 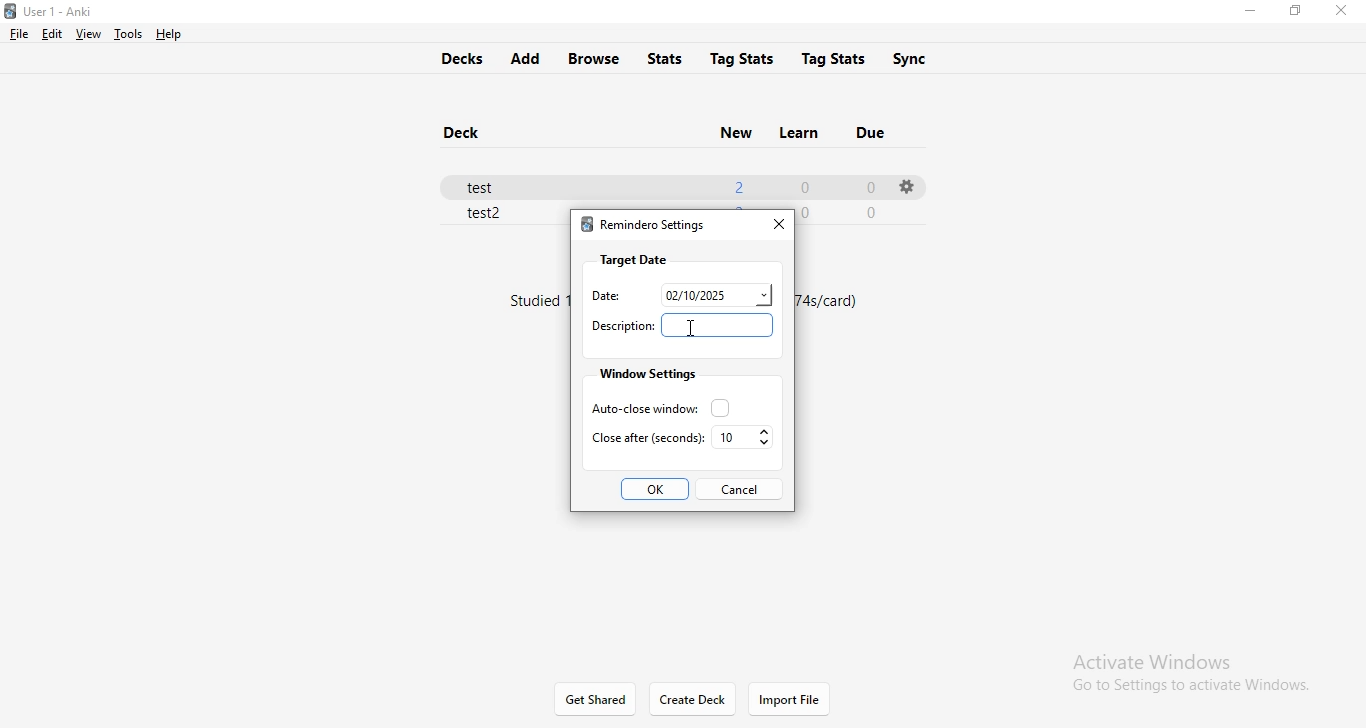 I want to click on ok, so click(x=657, y=490).